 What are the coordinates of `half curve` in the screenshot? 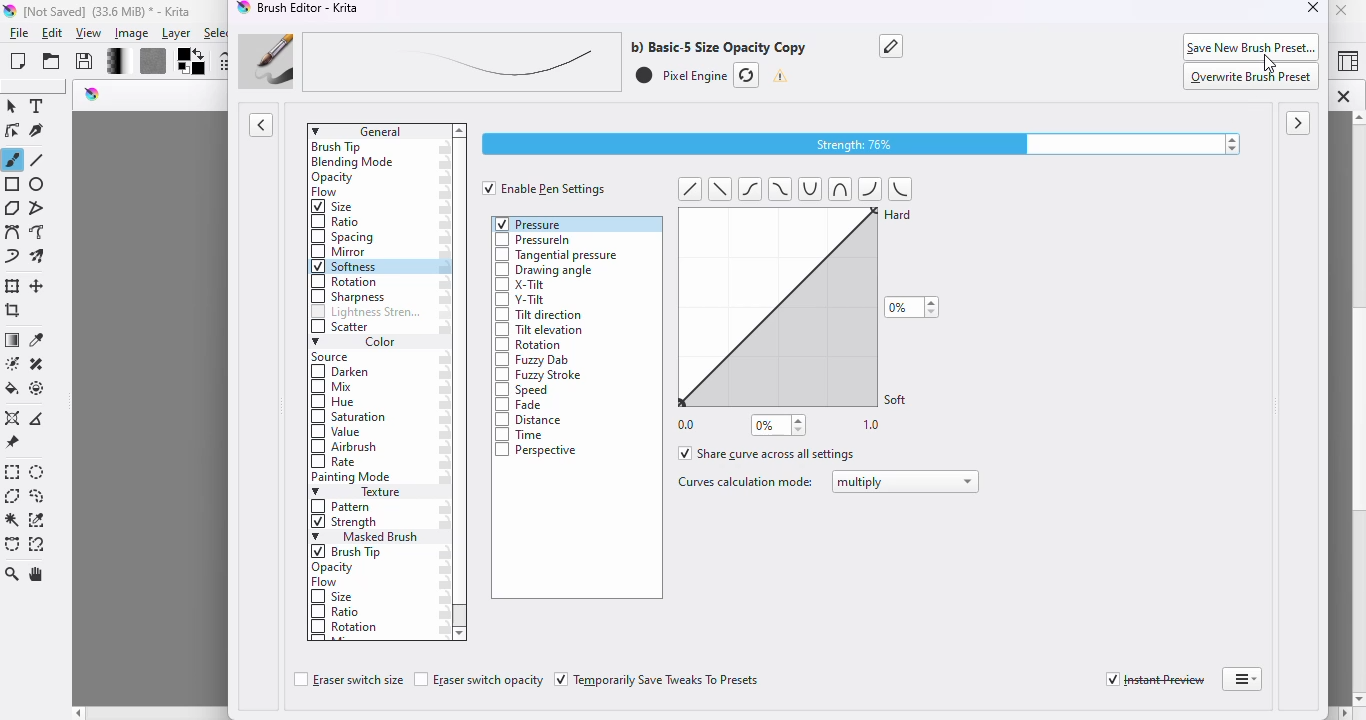 It's located at (903, 188).